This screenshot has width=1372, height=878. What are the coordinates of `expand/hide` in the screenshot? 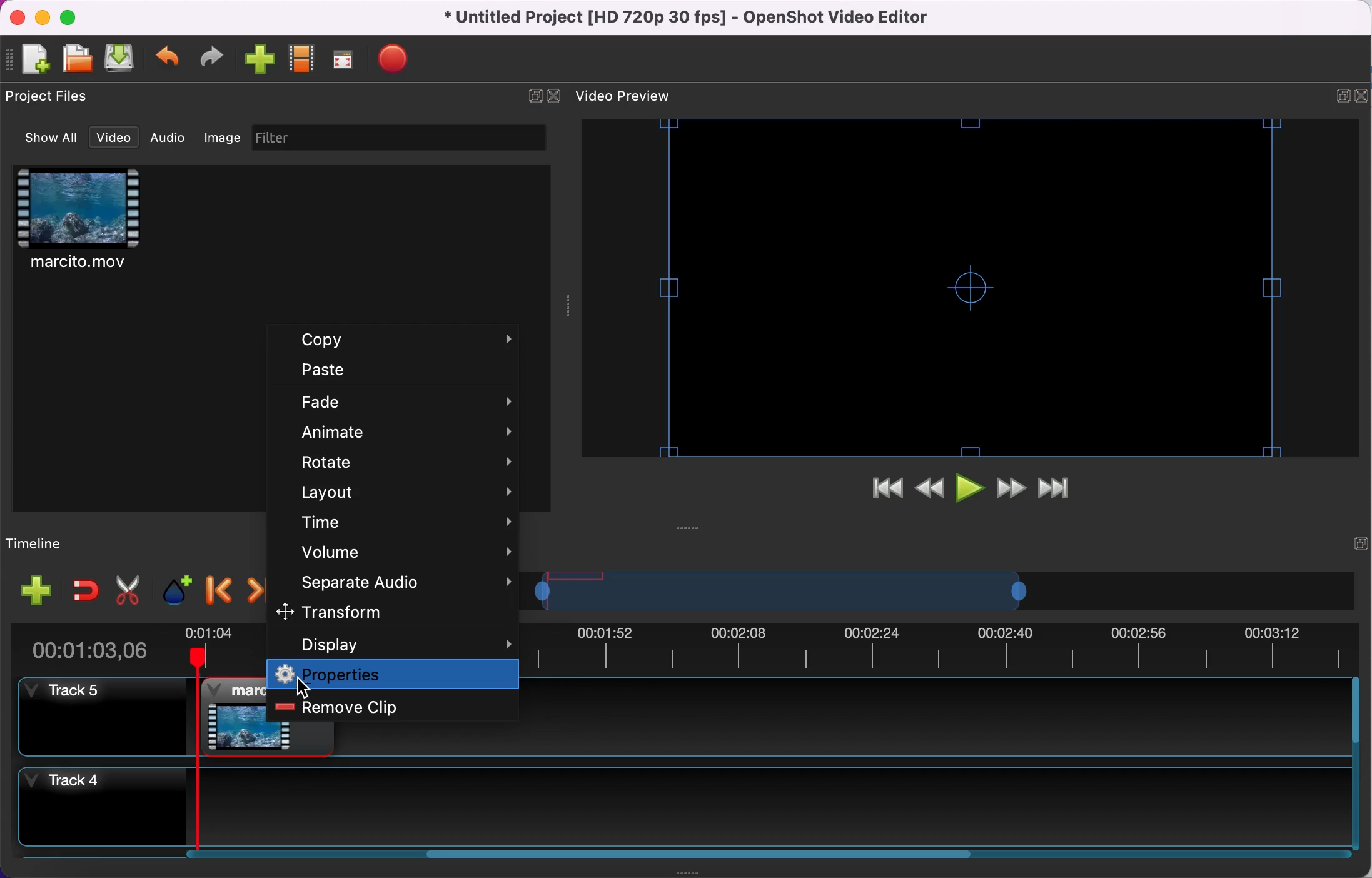 It's located at (1360, 542).